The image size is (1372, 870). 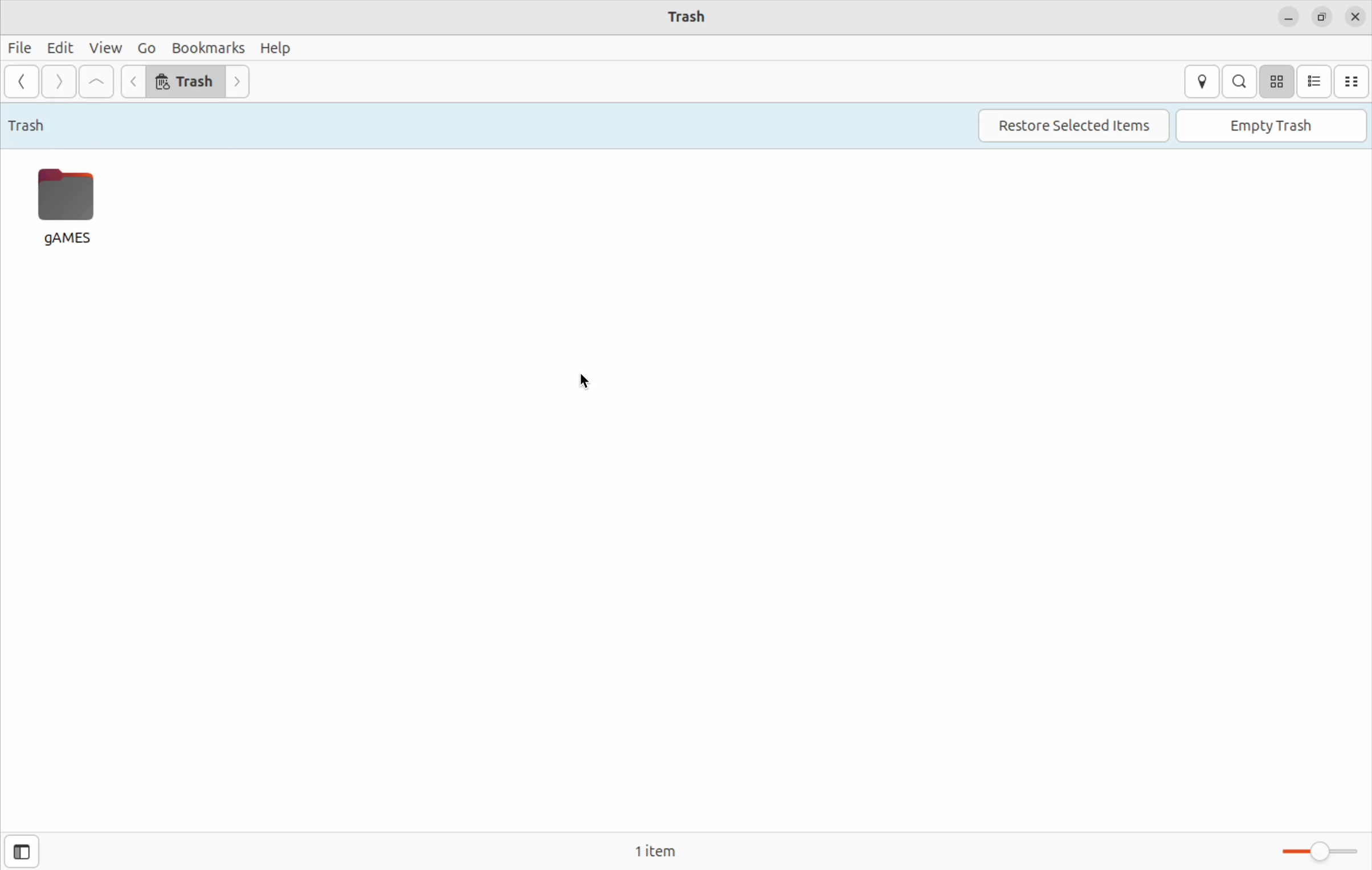 What do you see at coordinates (20, 48) in the screenshot?
I see `files` at bounding box center [20, 48].